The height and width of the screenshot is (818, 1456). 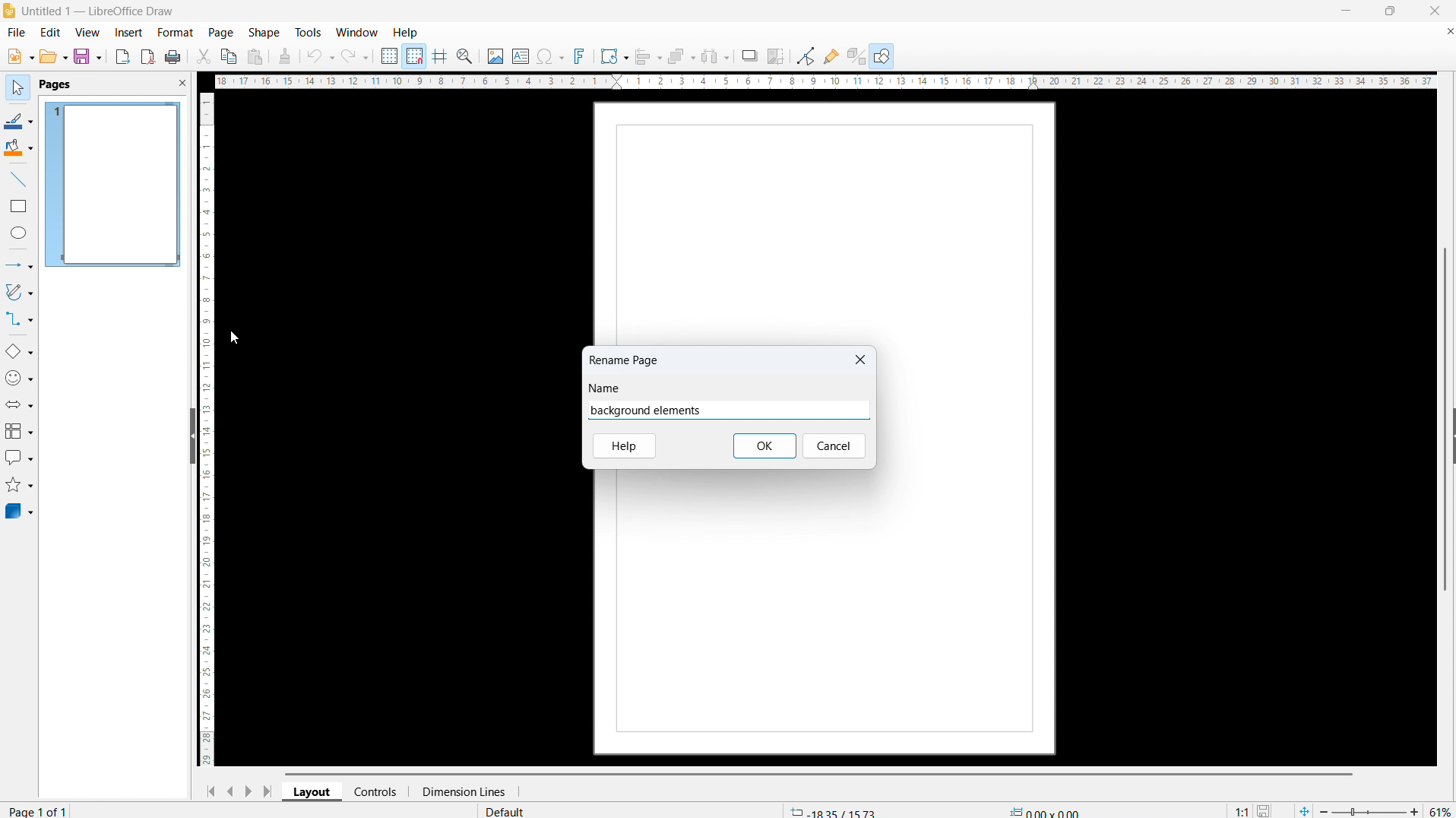 I want to click on paste, so click(x=255, y=57).